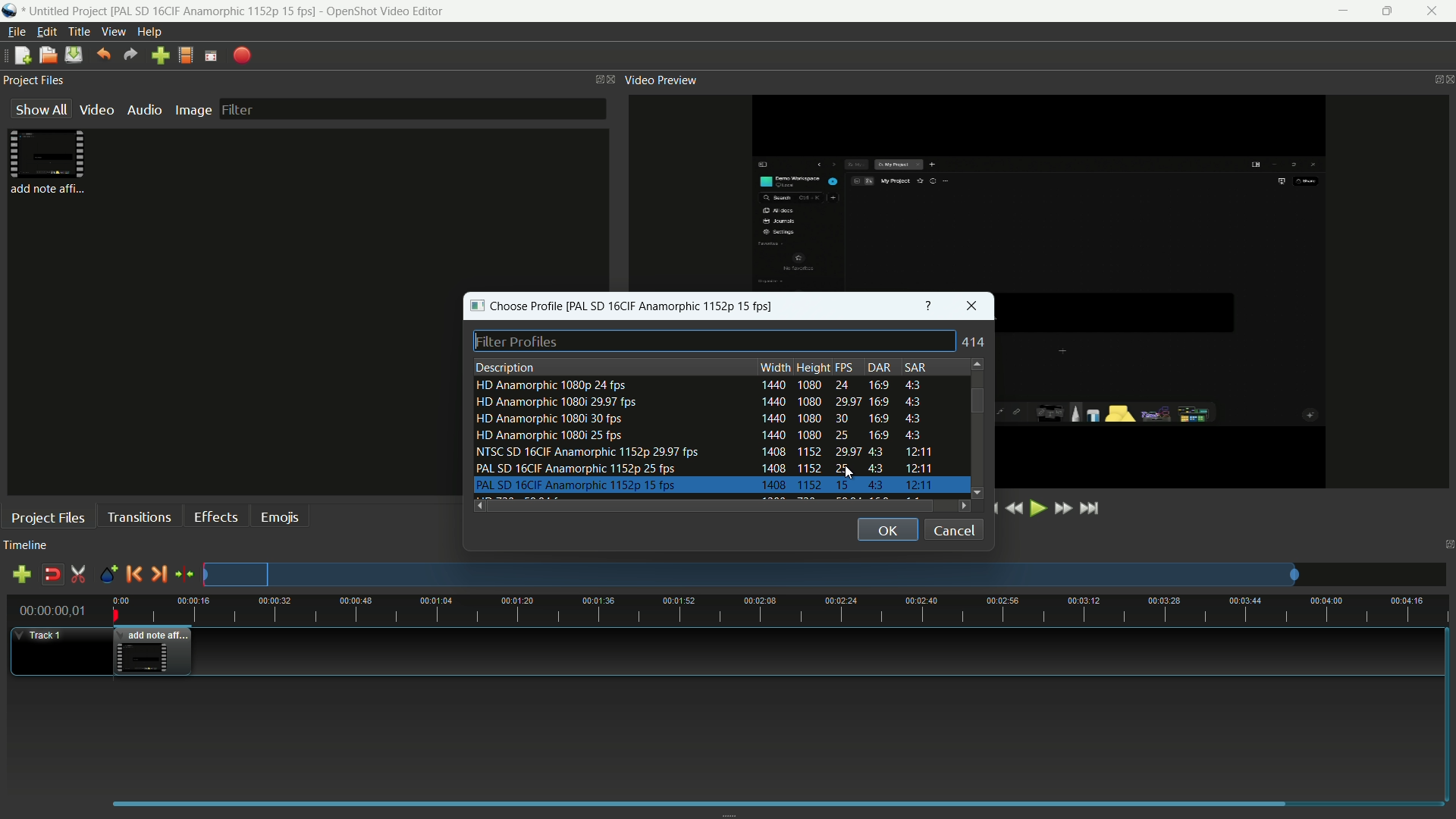  I want to click on timeline, so click(26, 547).